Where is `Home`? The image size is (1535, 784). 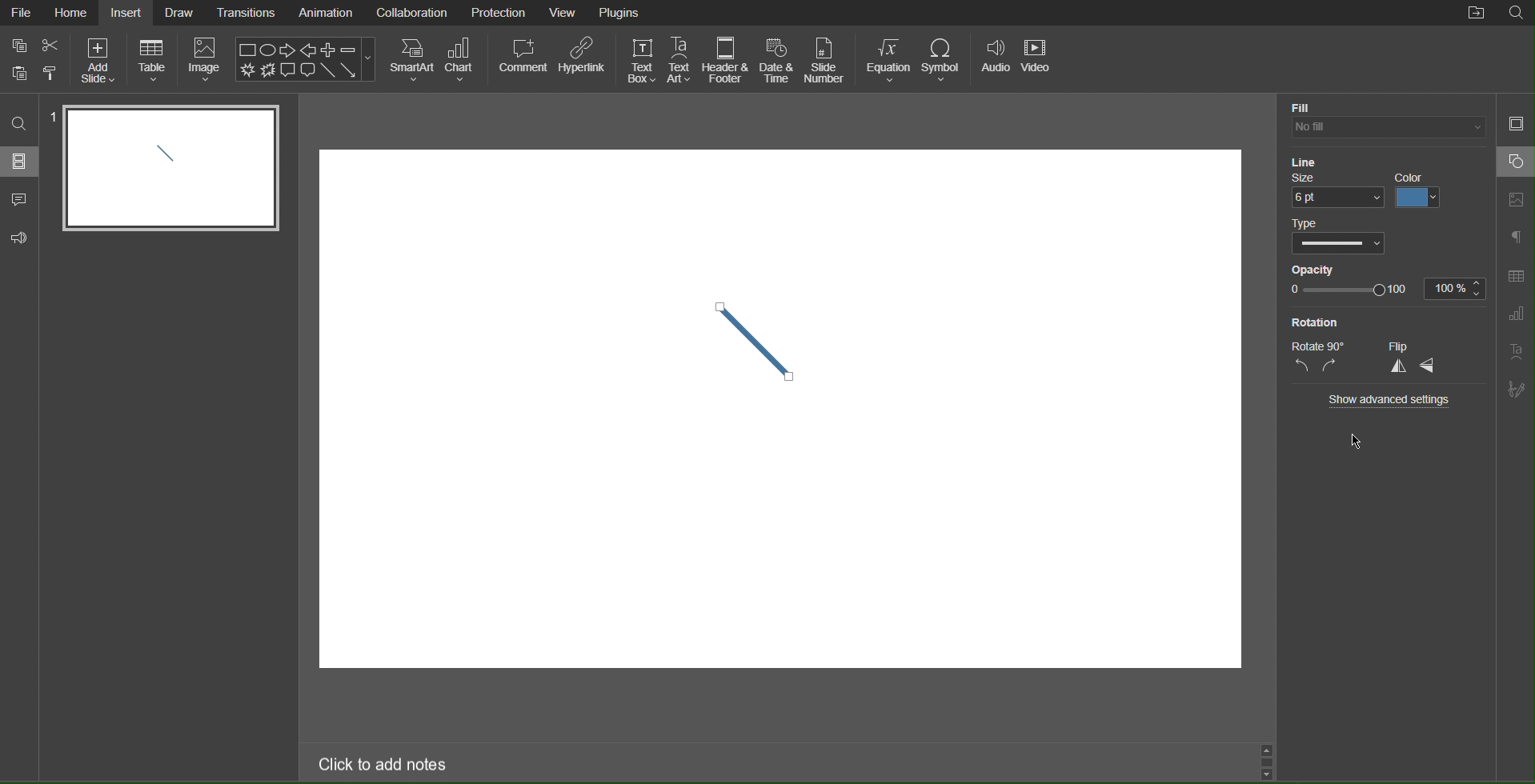
Home is located at coordinates (72, 12).